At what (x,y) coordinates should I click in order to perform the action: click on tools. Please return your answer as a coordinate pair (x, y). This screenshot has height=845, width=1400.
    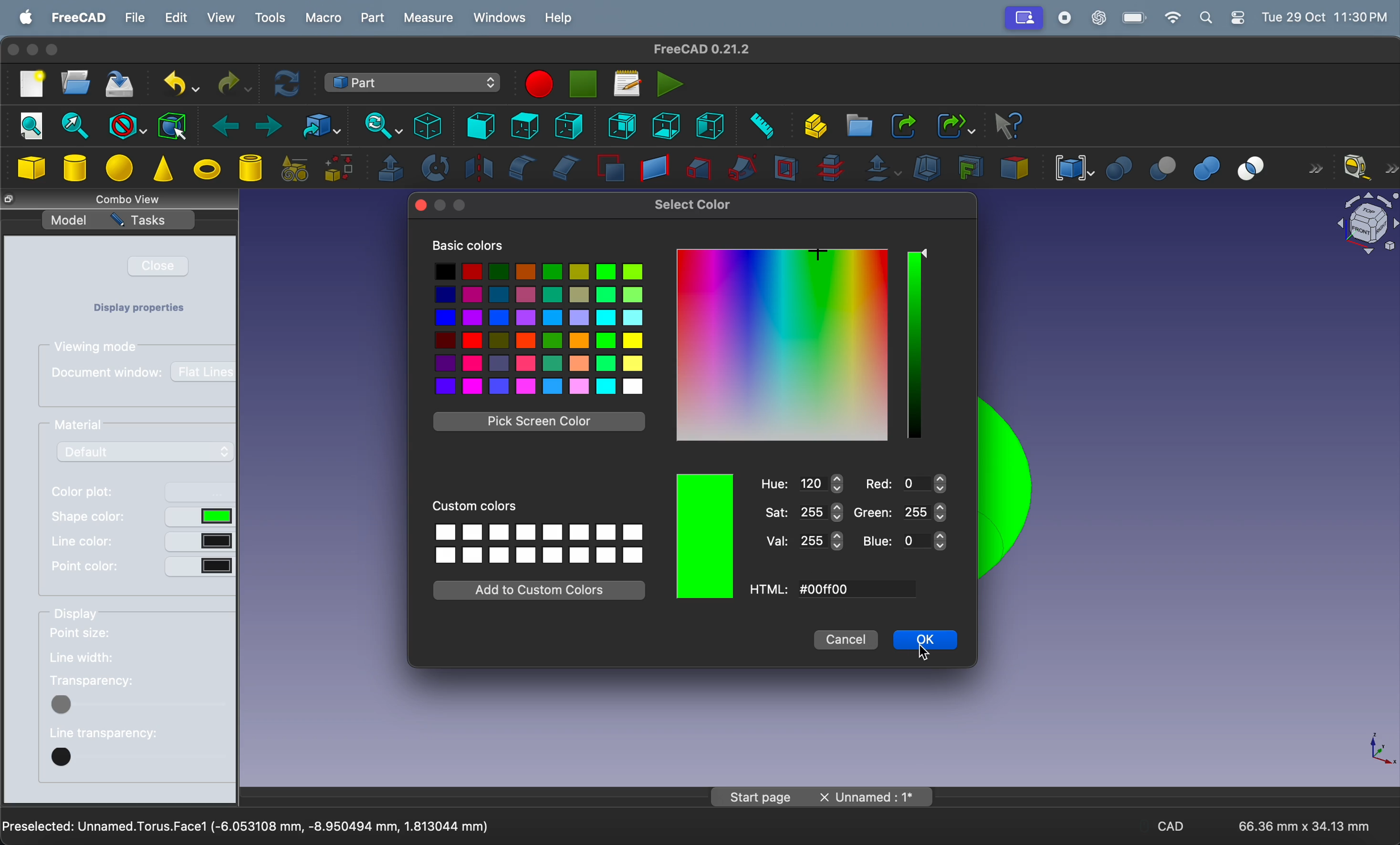
    Looking at the image, I should click on (268, 18).